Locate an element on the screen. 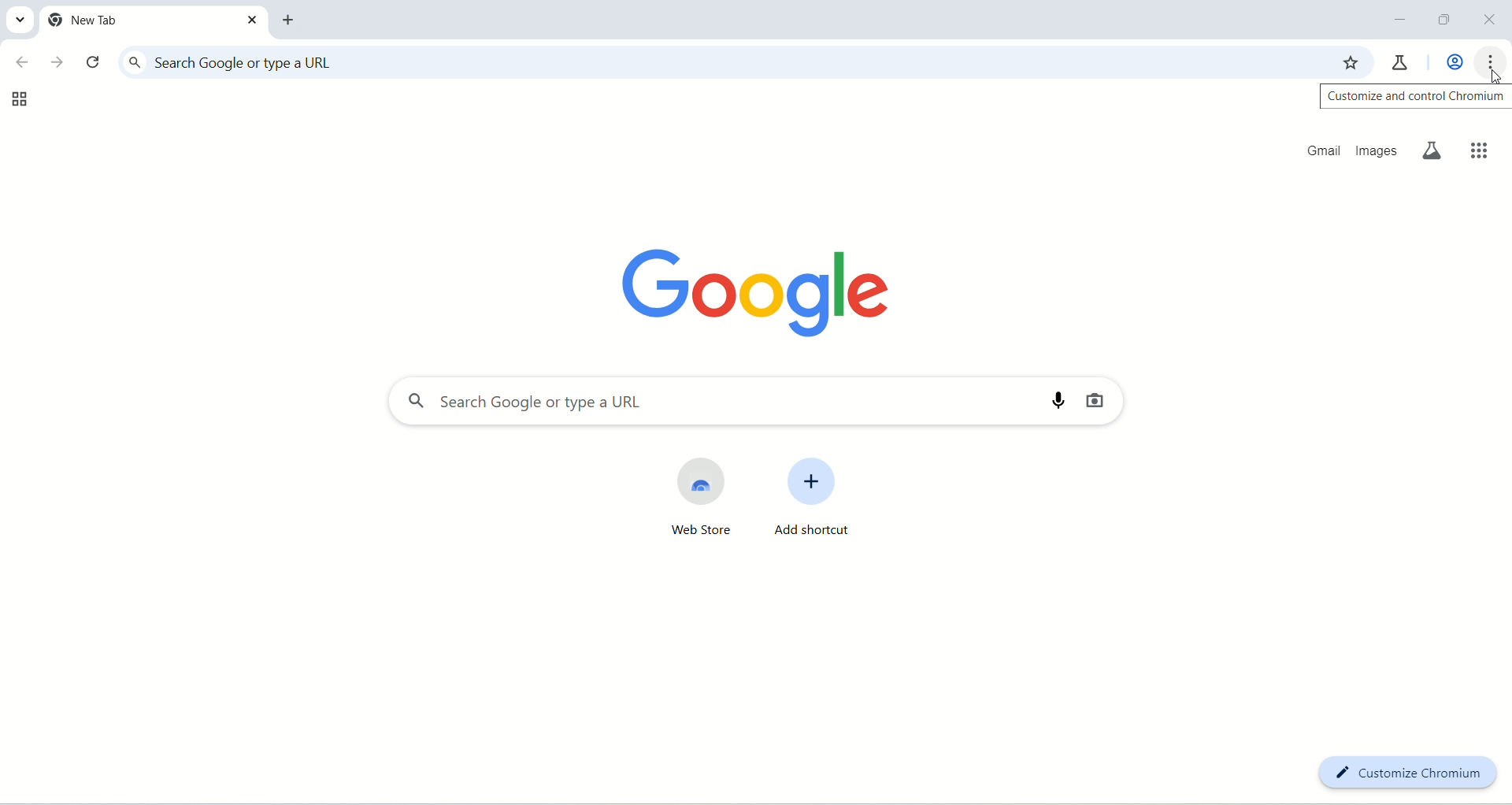  search labs is located at coordinates (1436, 151).